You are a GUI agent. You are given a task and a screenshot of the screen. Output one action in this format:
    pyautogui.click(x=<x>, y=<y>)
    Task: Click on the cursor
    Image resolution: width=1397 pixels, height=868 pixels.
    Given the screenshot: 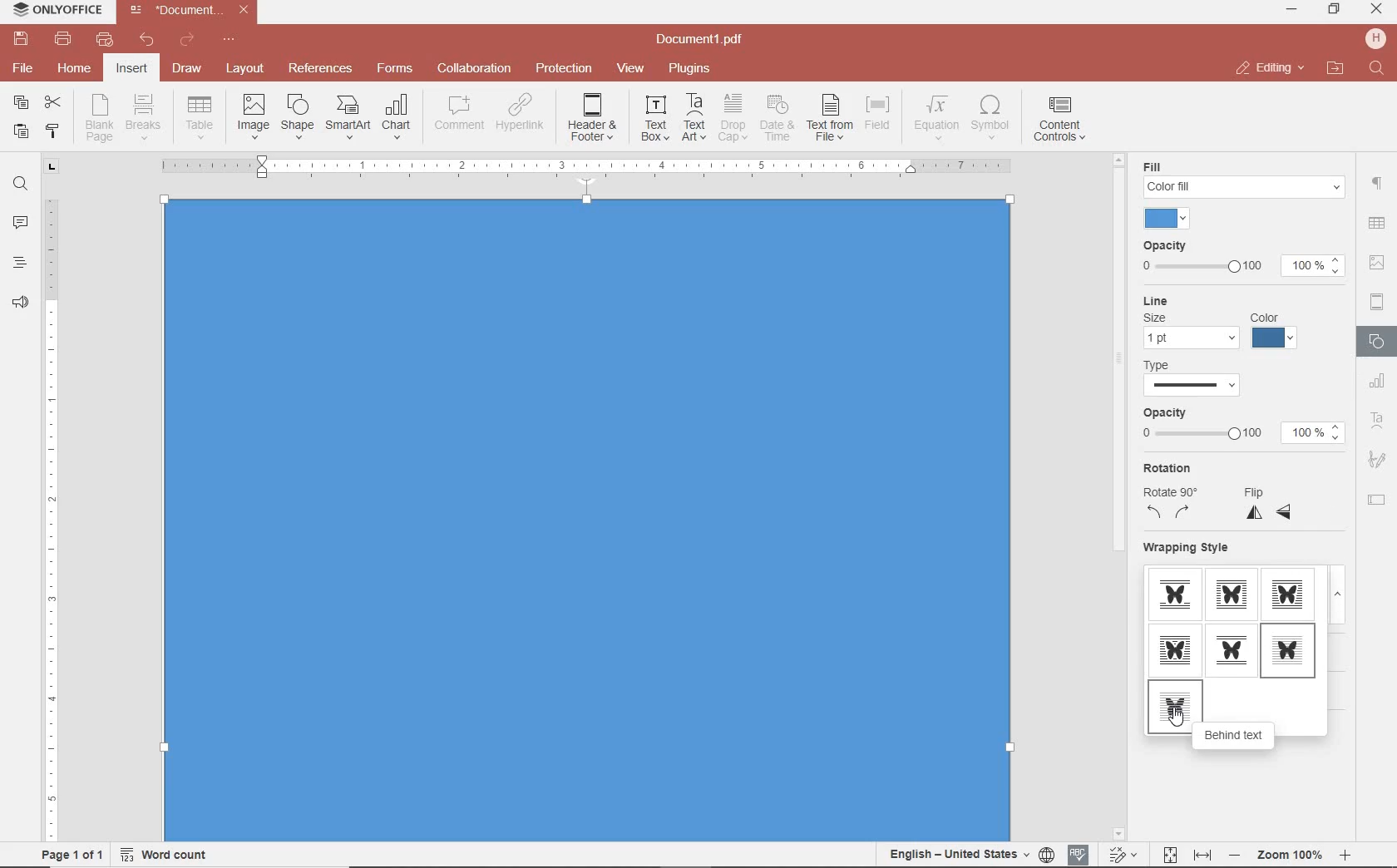 What is the action you would take?
    pyautogui.click(x=1175, y=718)
    